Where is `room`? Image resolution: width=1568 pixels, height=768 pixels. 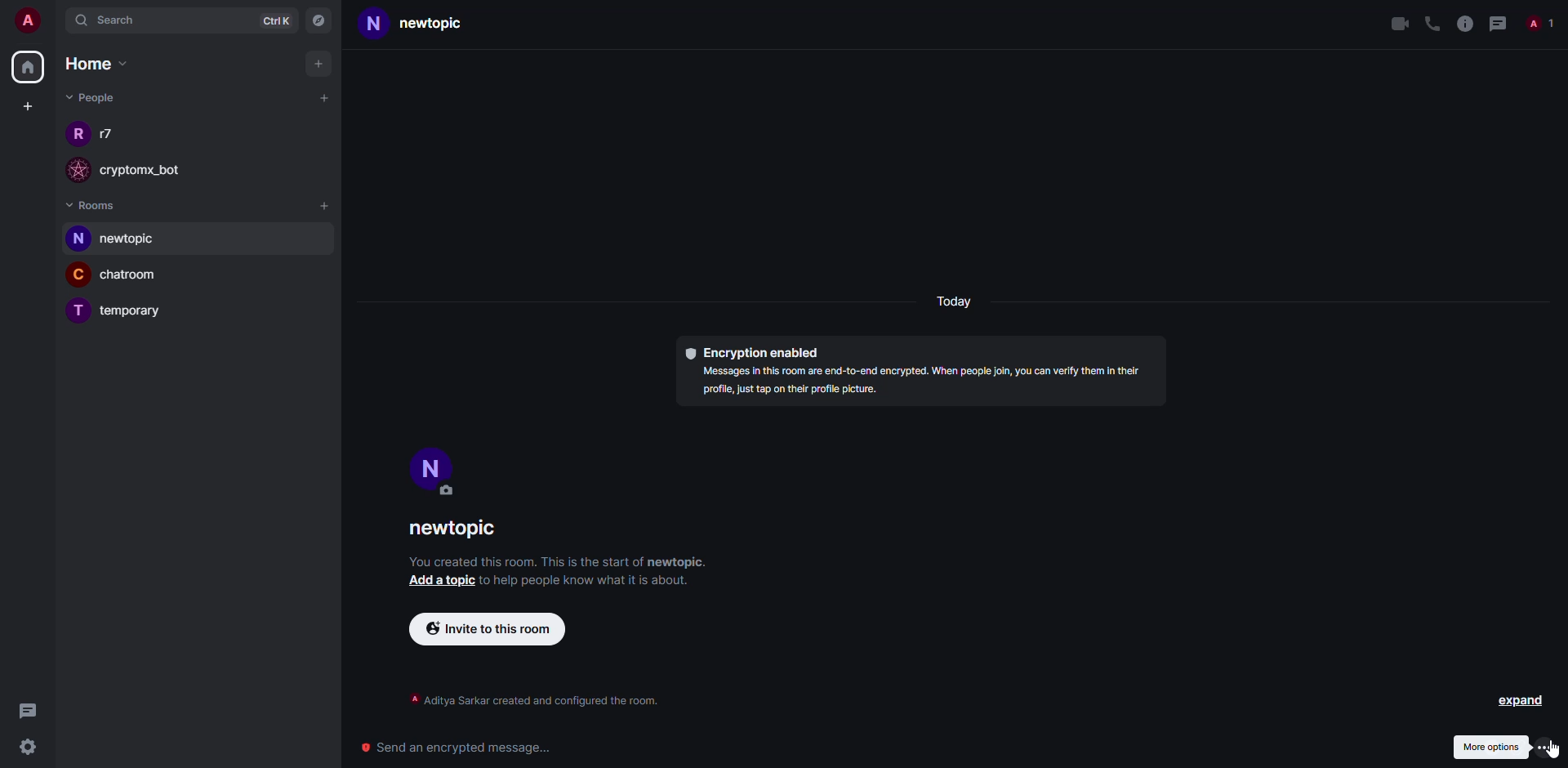
room is located at coordinates (133, 312).